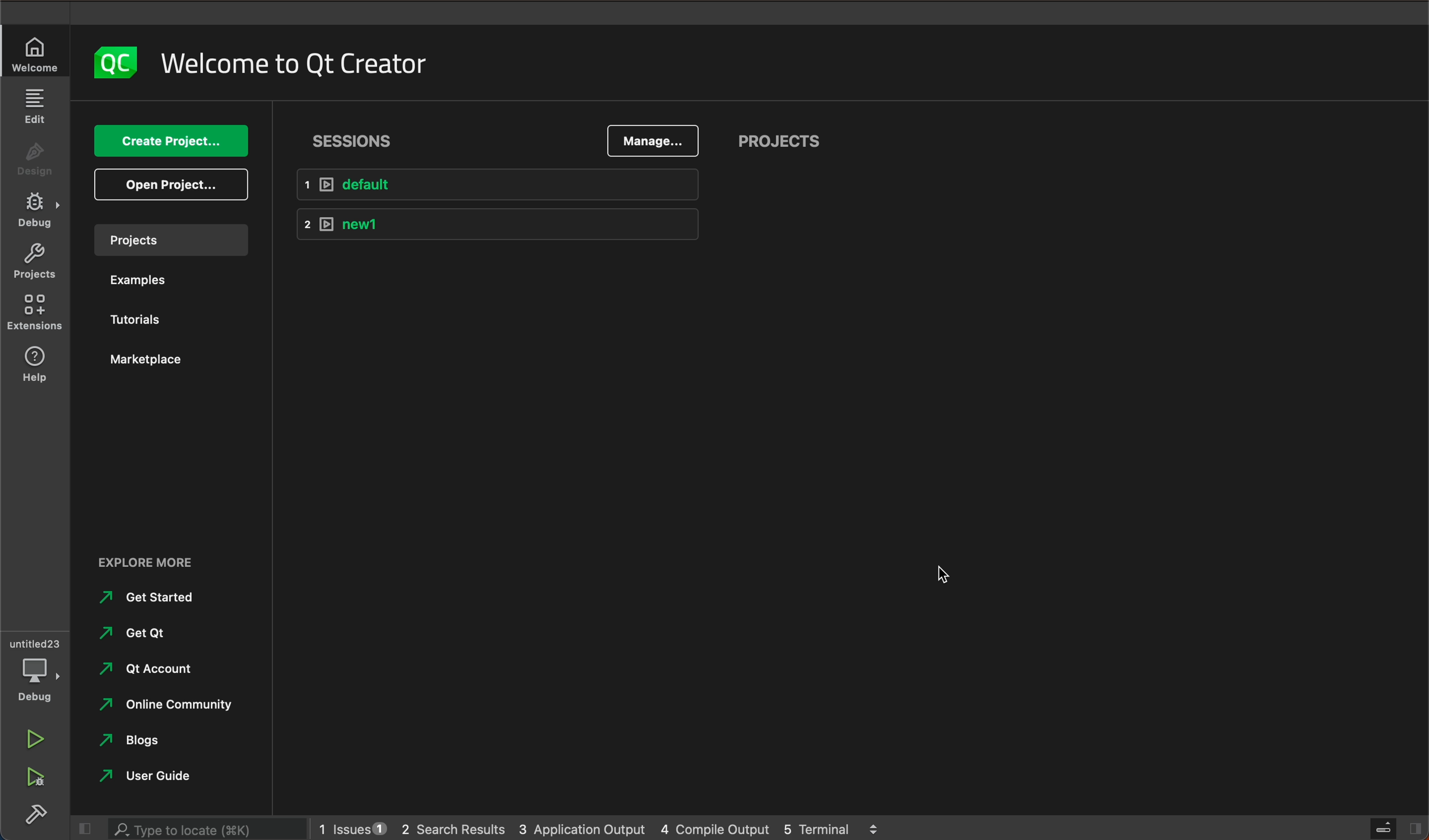 Image resolution: width=1429 pixels, height=840 pixels. I want to click on project, so click(170, 239).